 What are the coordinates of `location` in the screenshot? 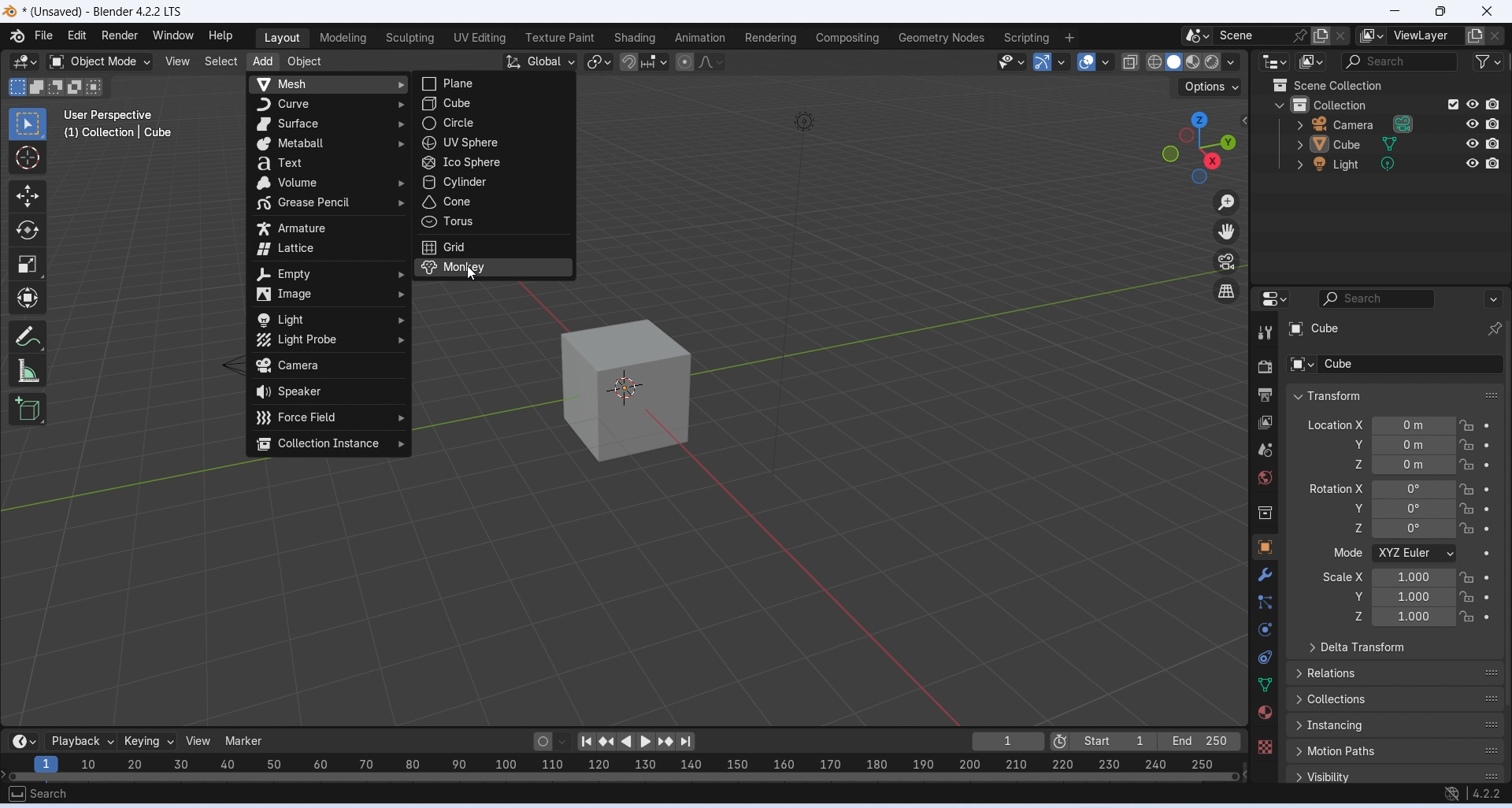 It's located at (1414, 445).